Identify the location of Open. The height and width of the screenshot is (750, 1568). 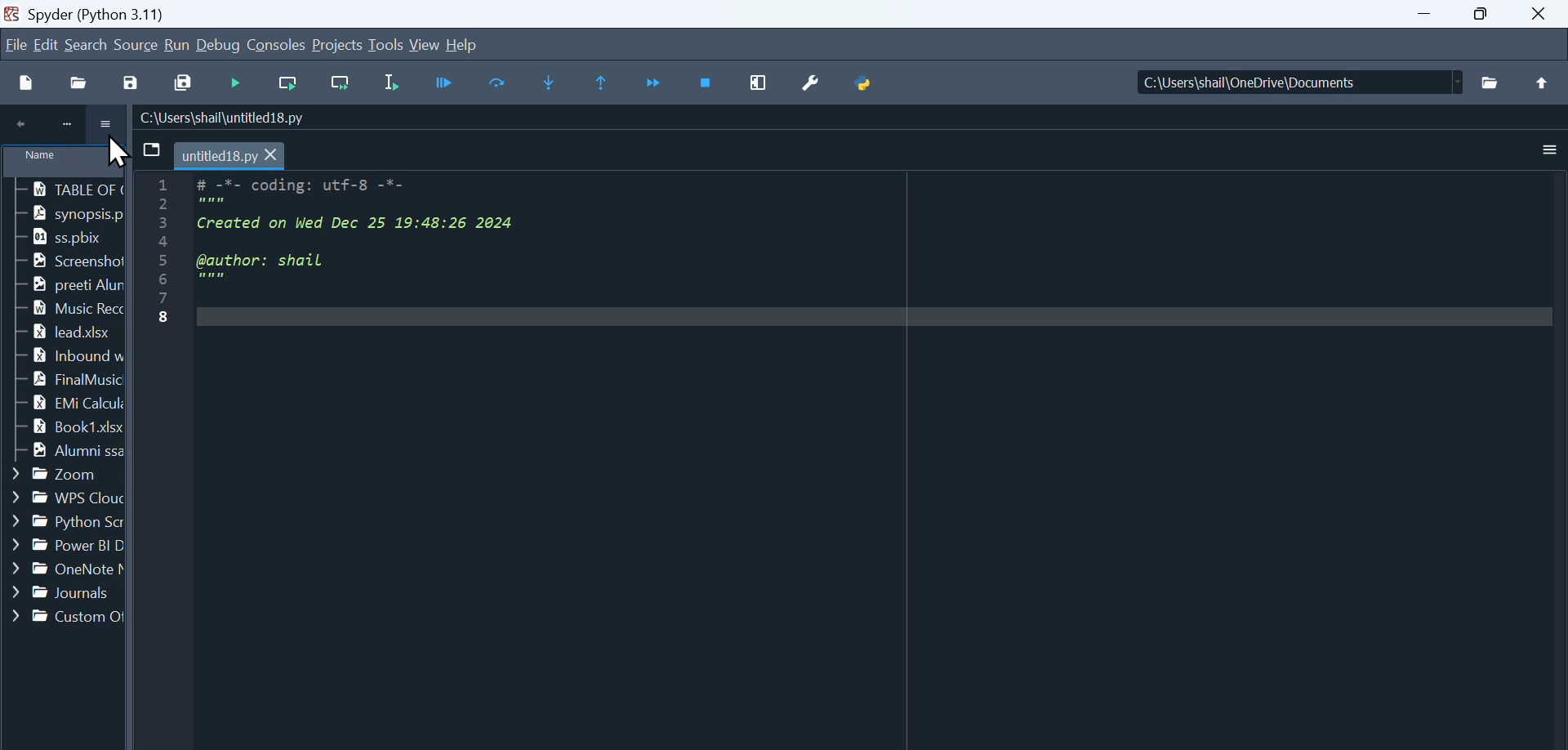
(82, 82).